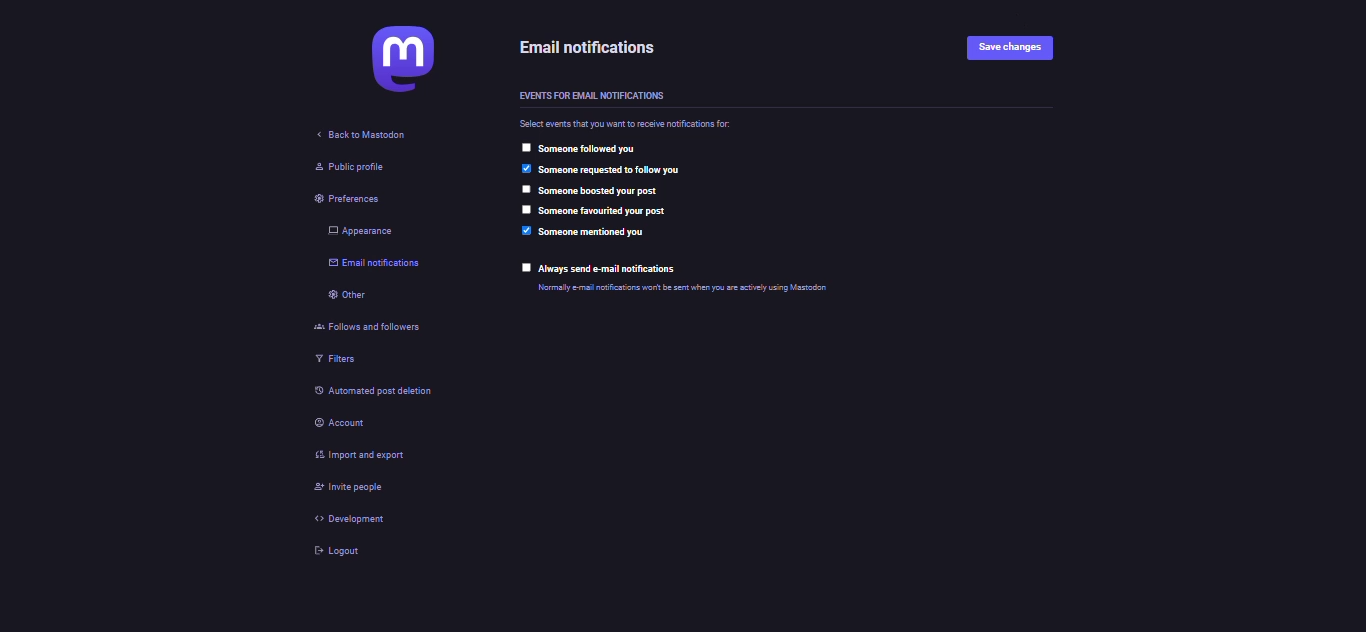  Describe the element at coordinates (353, 138) in the screenshot. I see `back to mastodon` at that location.